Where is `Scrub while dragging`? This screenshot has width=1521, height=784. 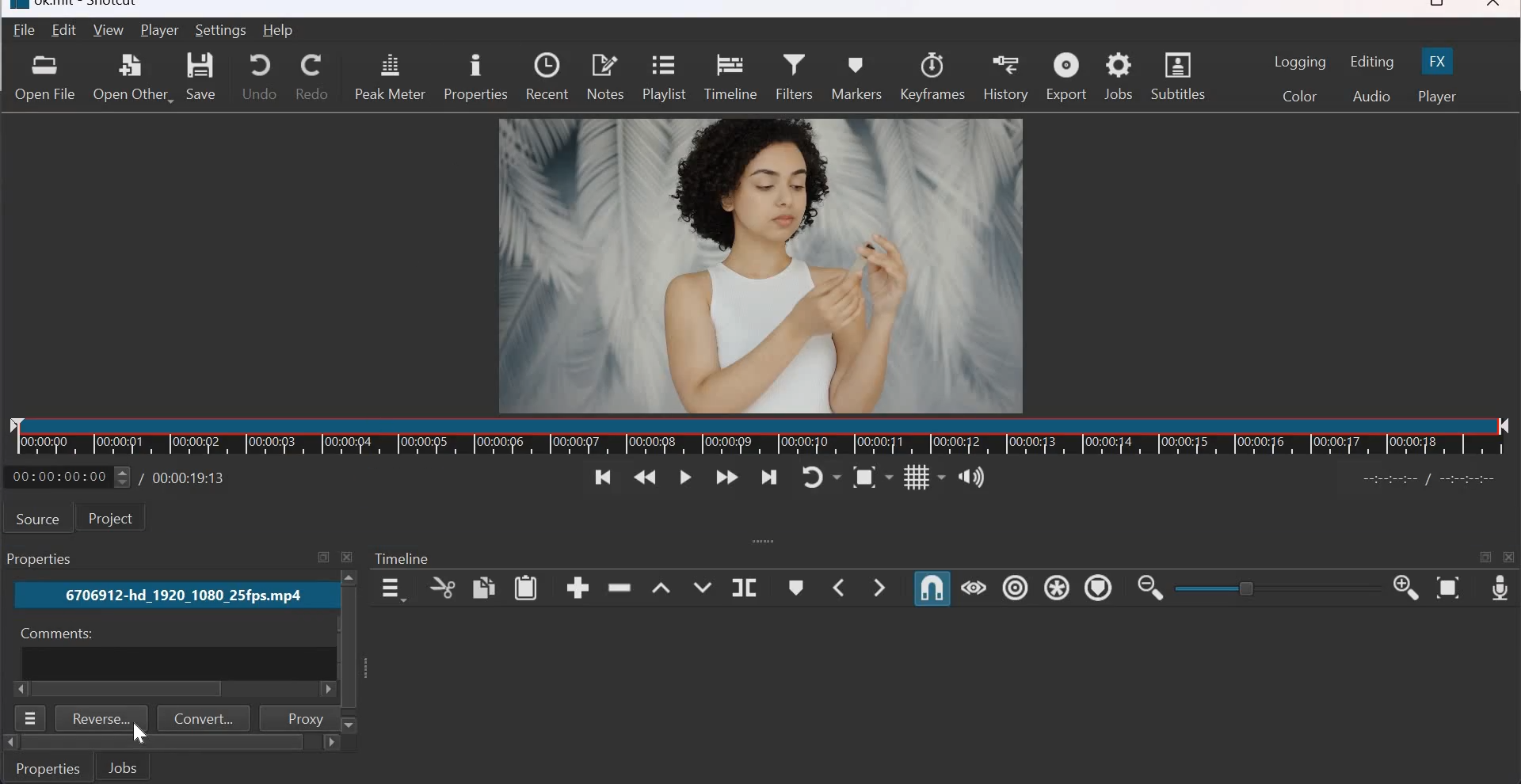 Scrub while dragging is located at coordinates (974, 588).